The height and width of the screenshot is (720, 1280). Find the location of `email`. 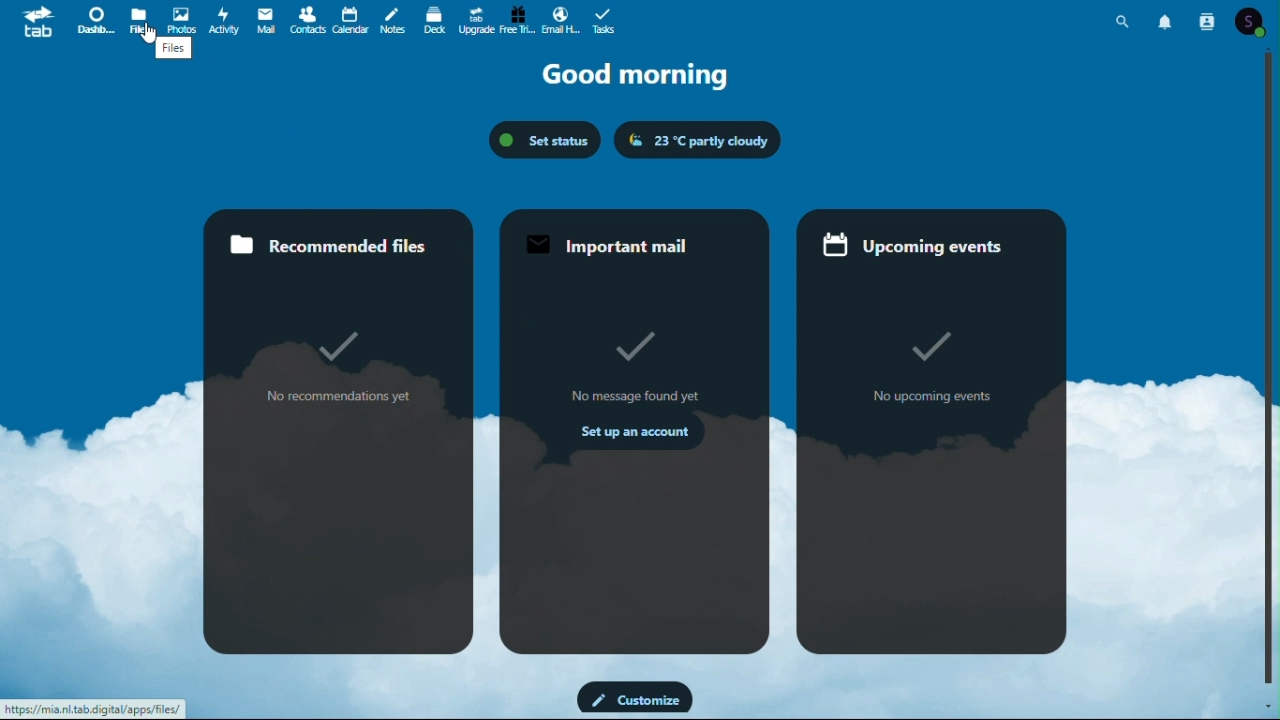

email is located at coordinates (266, 18).